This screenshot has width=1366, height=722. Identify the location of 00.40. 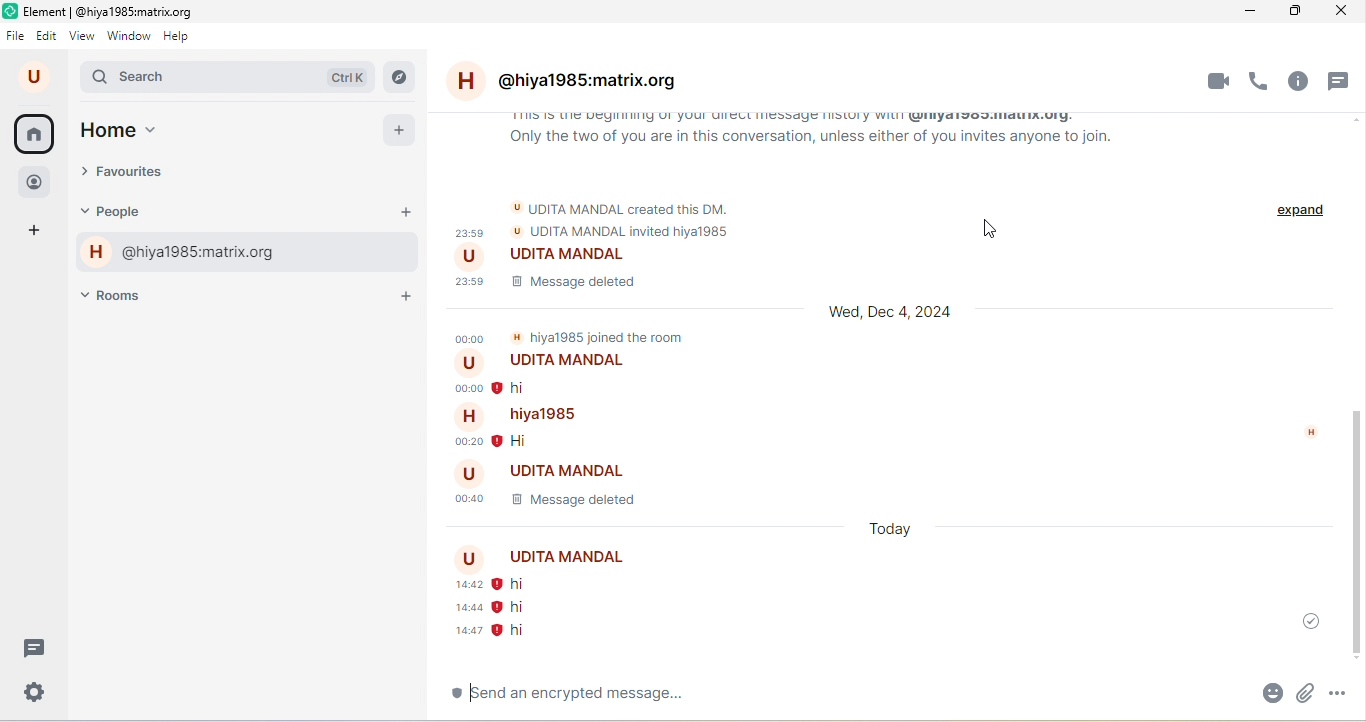
(467, 499).